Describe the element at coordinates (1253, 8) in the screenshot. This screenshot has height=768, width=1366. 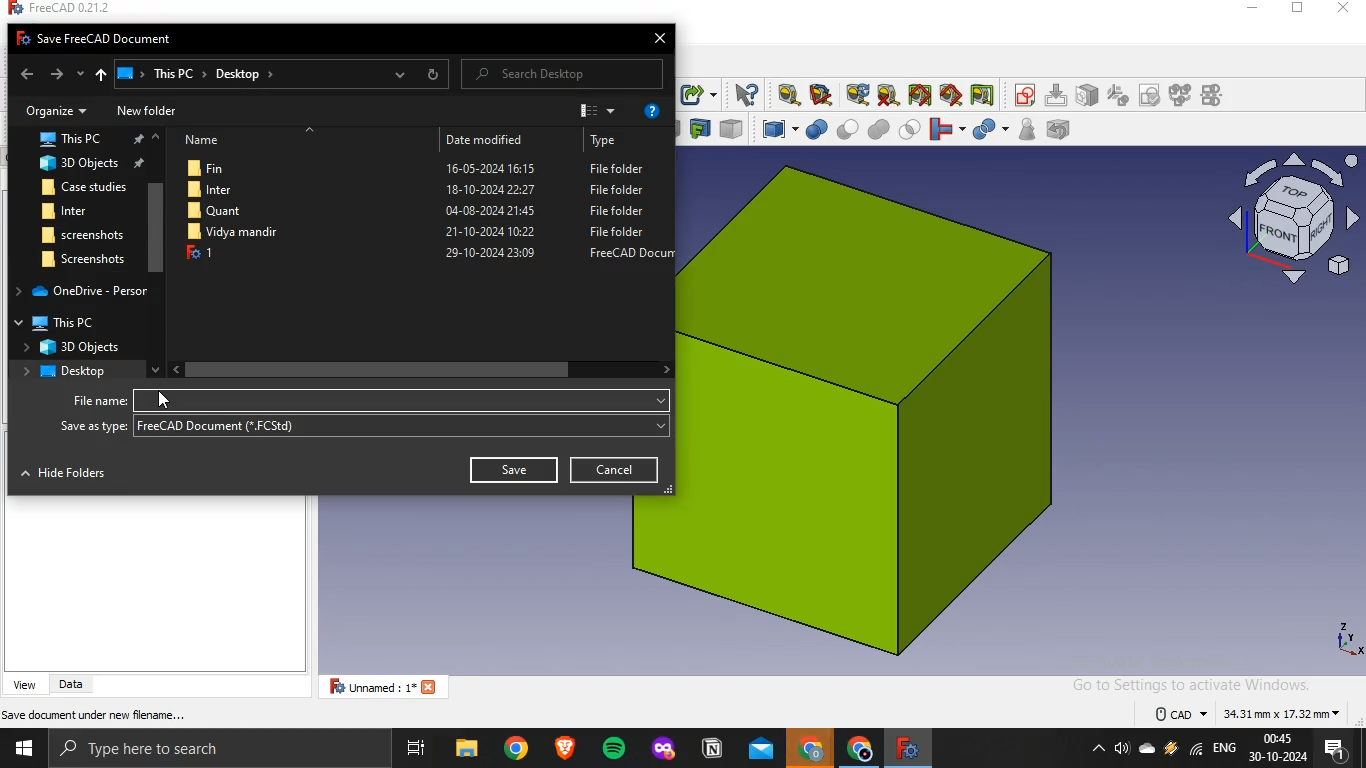
I see `minimize` at that location.